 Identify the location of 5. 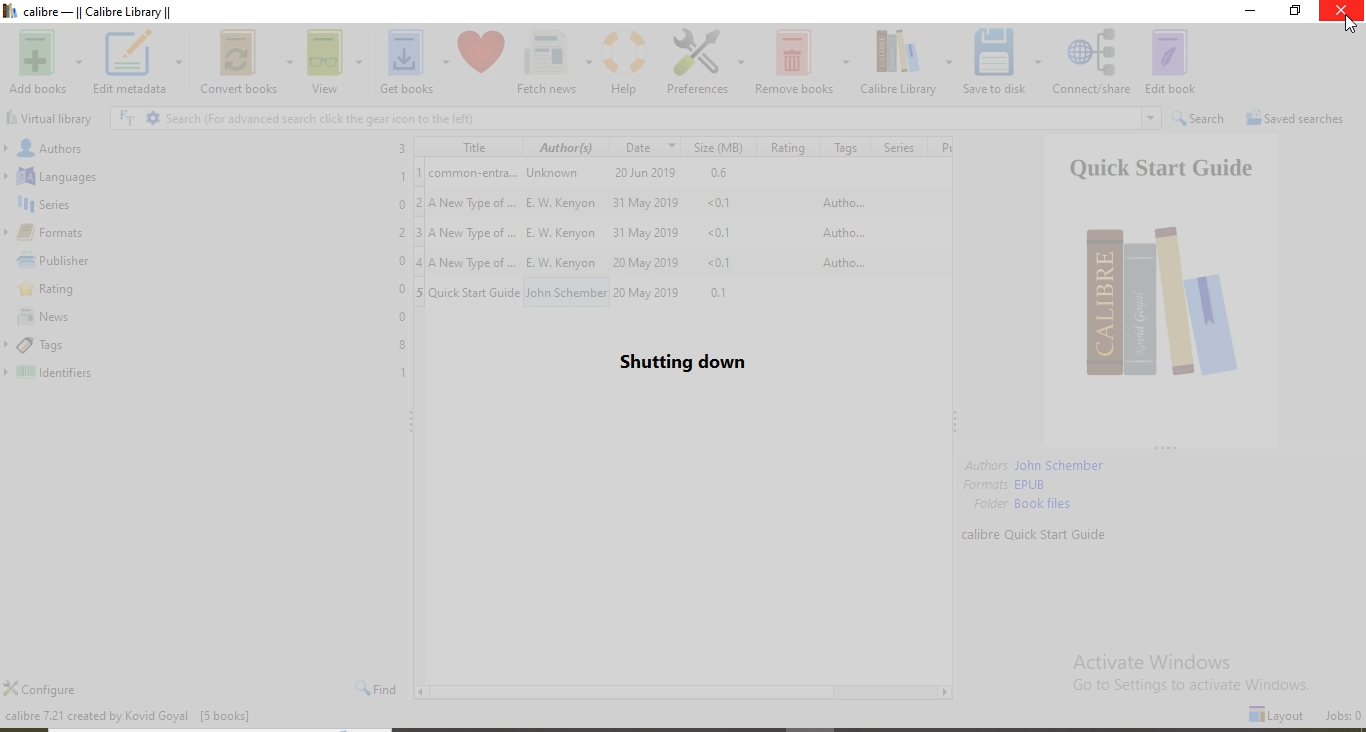
(420, 291).